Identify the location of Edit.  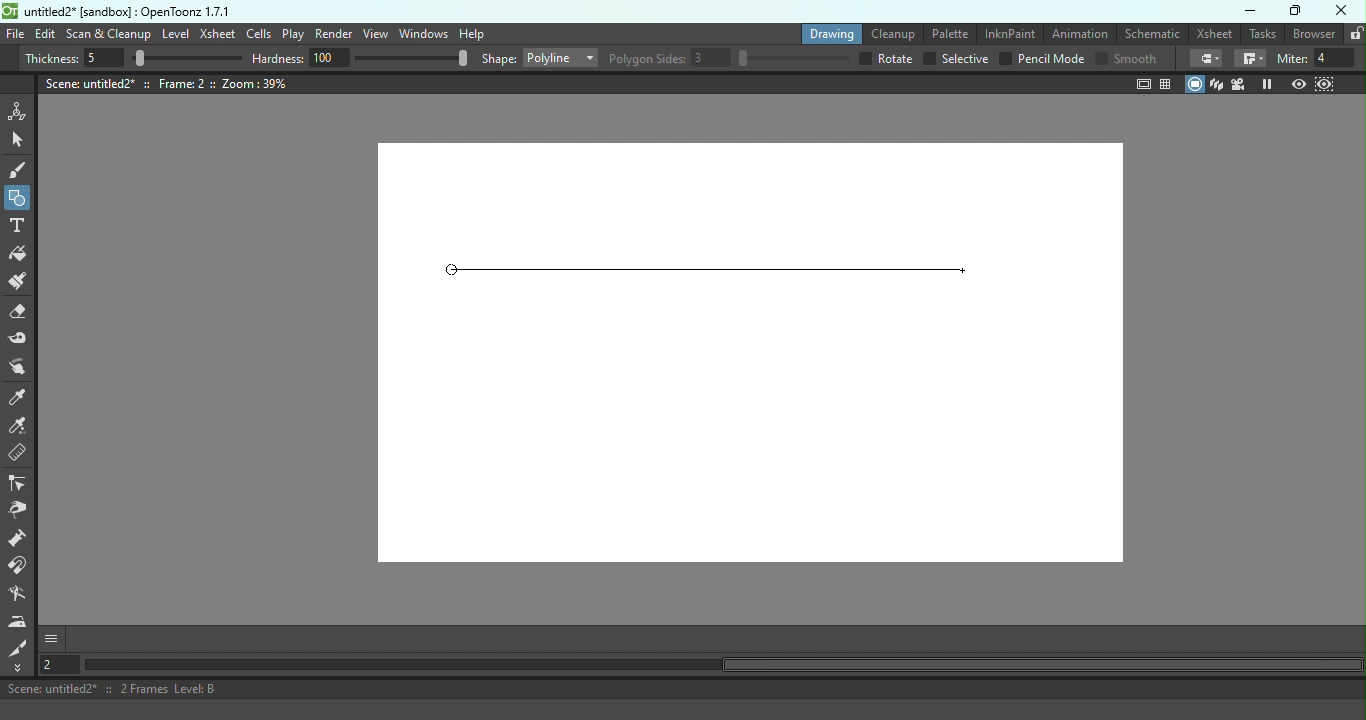
(46, 35).